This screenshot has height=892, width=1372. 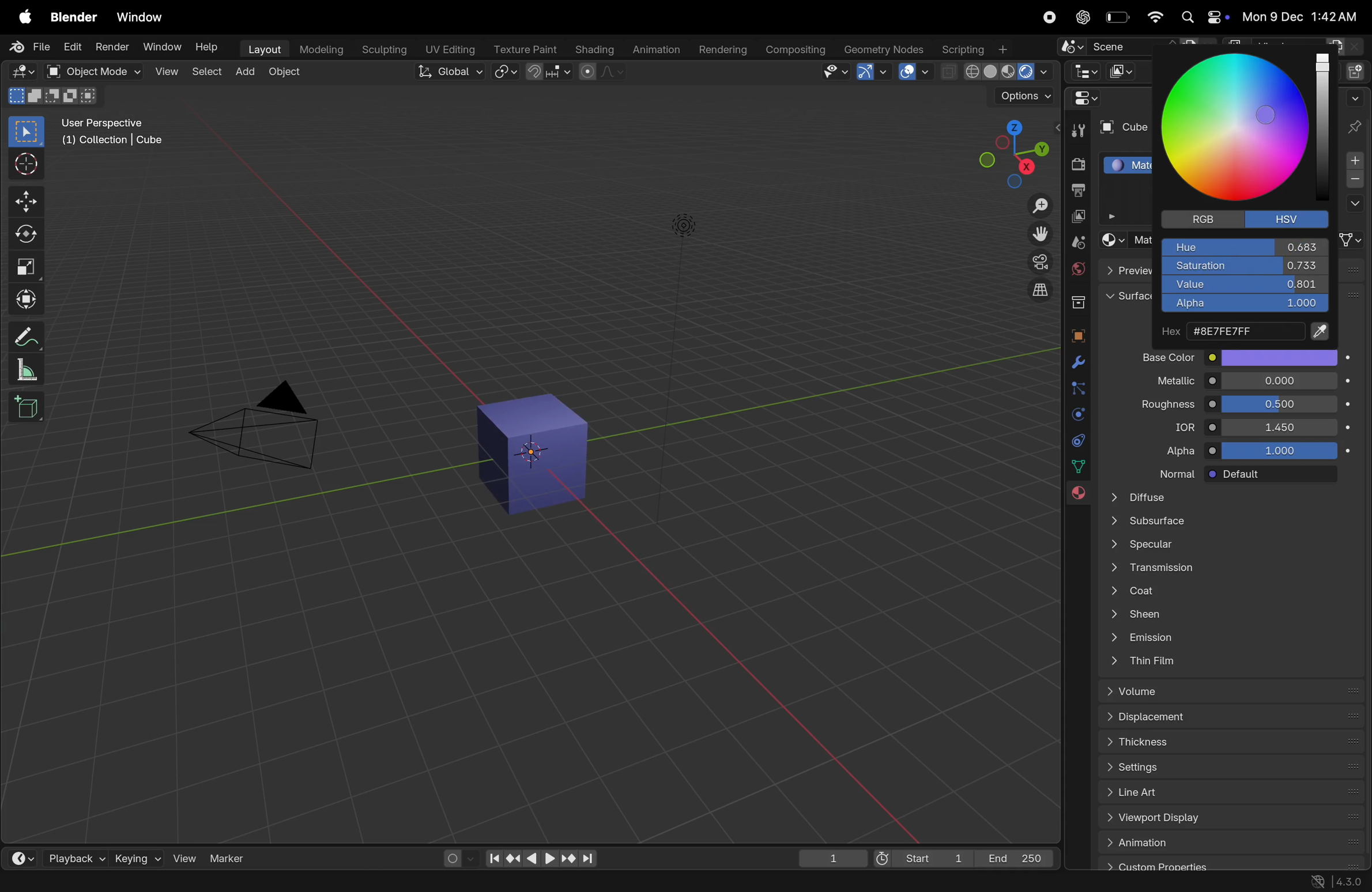 I want to click on window, so click(x=163, y=48).